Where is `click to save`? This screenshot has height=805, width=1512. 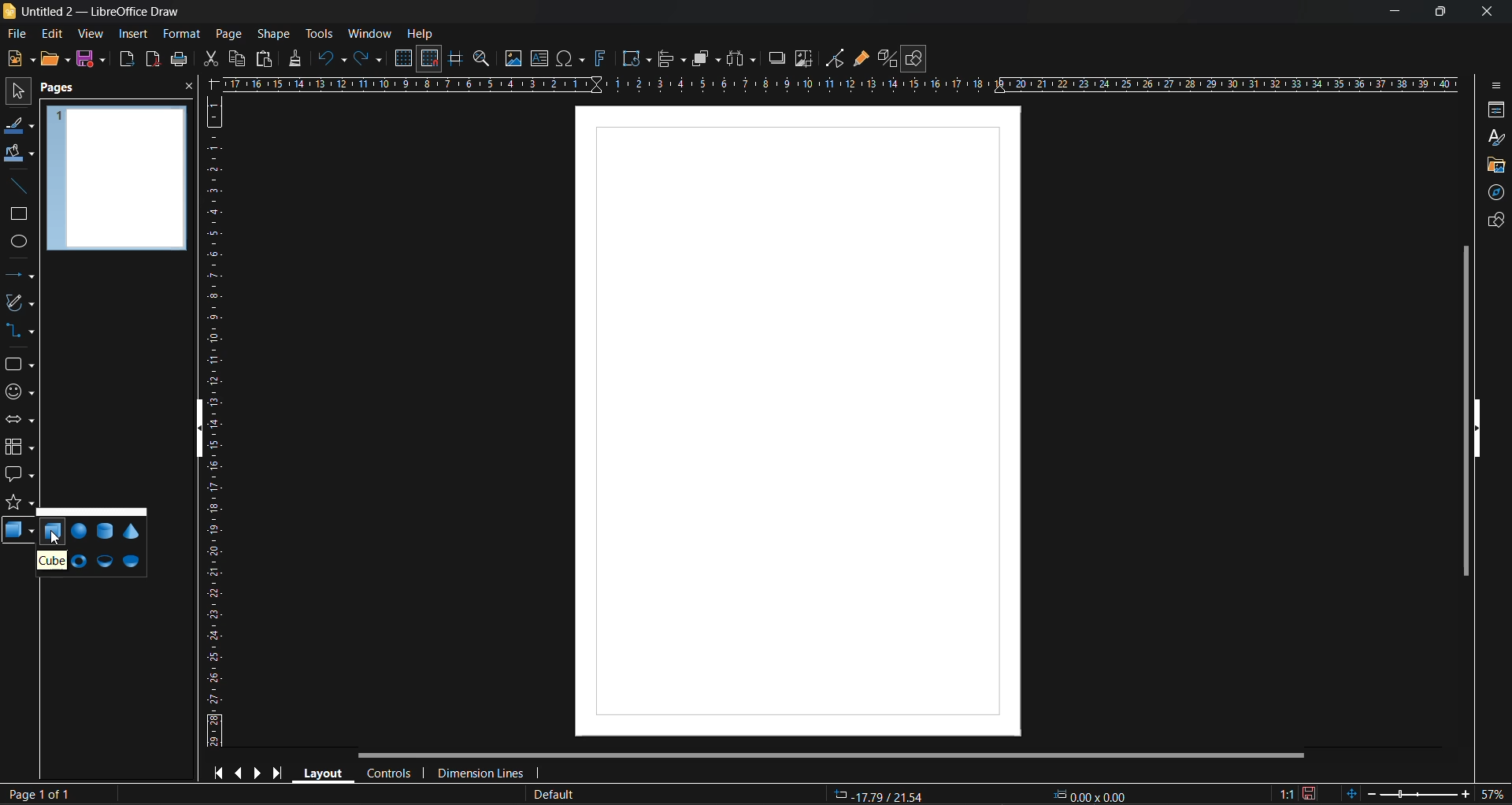 click to save is located at coordinates (1310, 792).